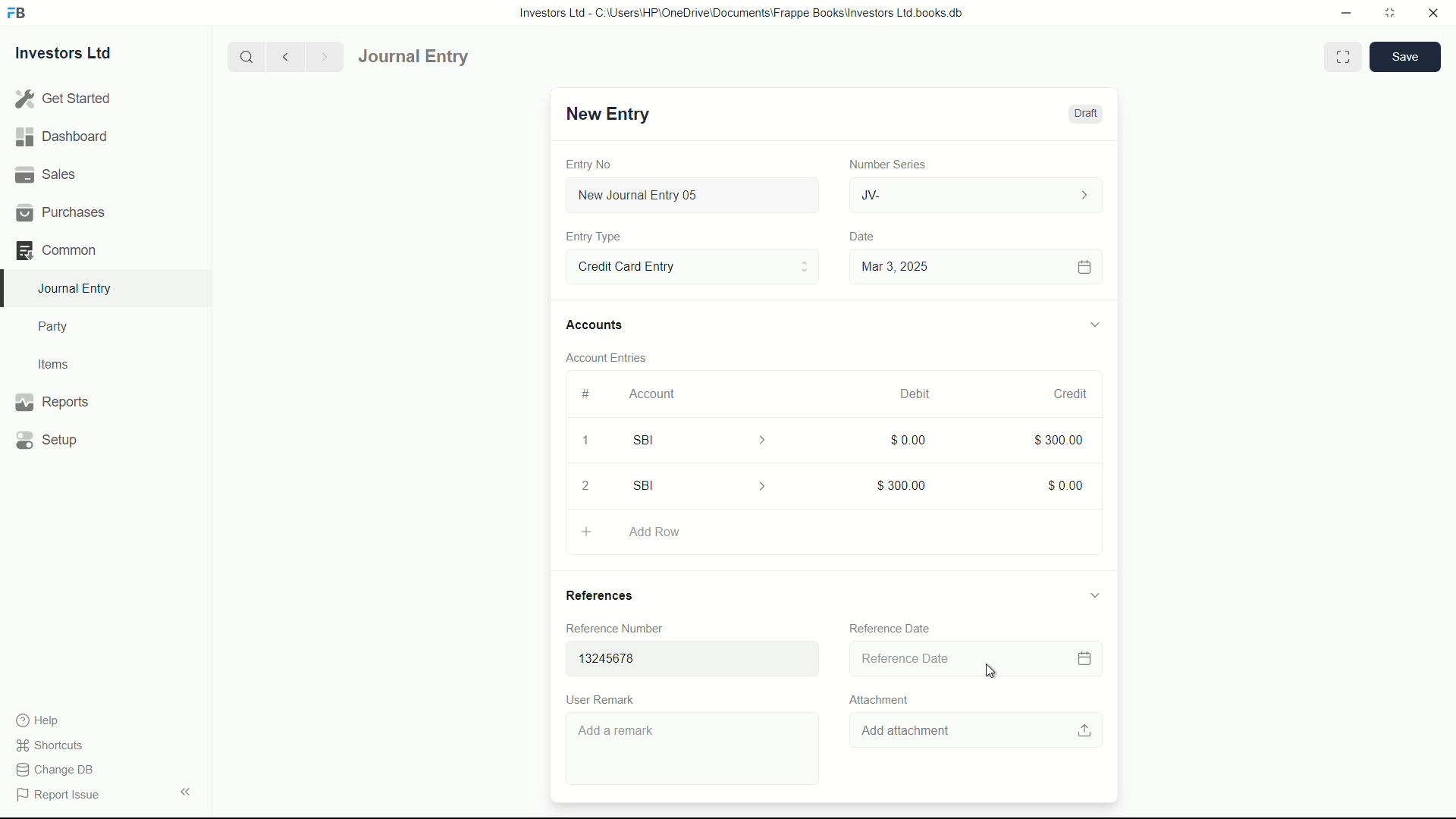 The image size is (1456, 819). I want to click on New Entry, so click(605, 114).